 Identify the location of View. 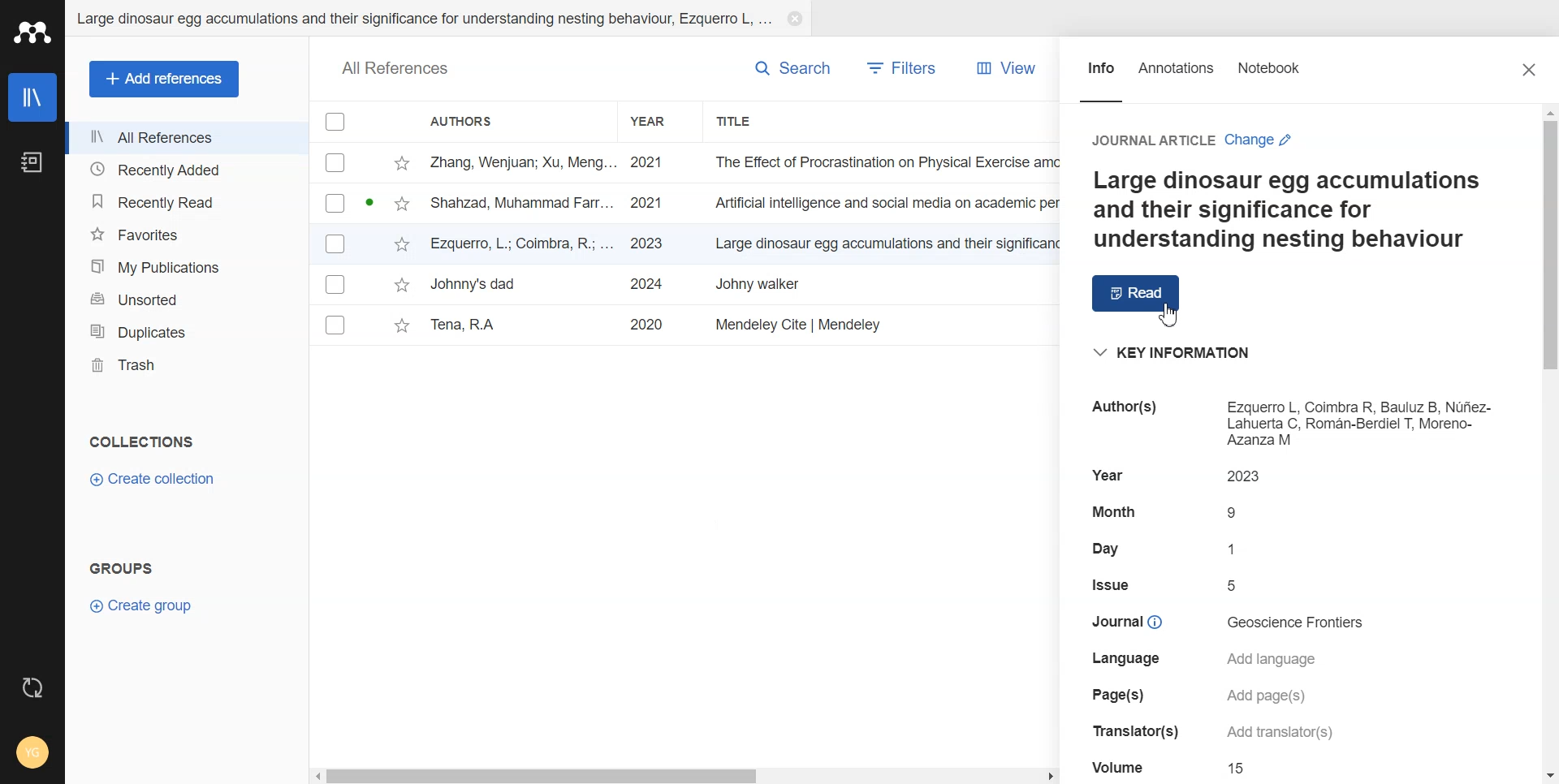
(1007, 67).